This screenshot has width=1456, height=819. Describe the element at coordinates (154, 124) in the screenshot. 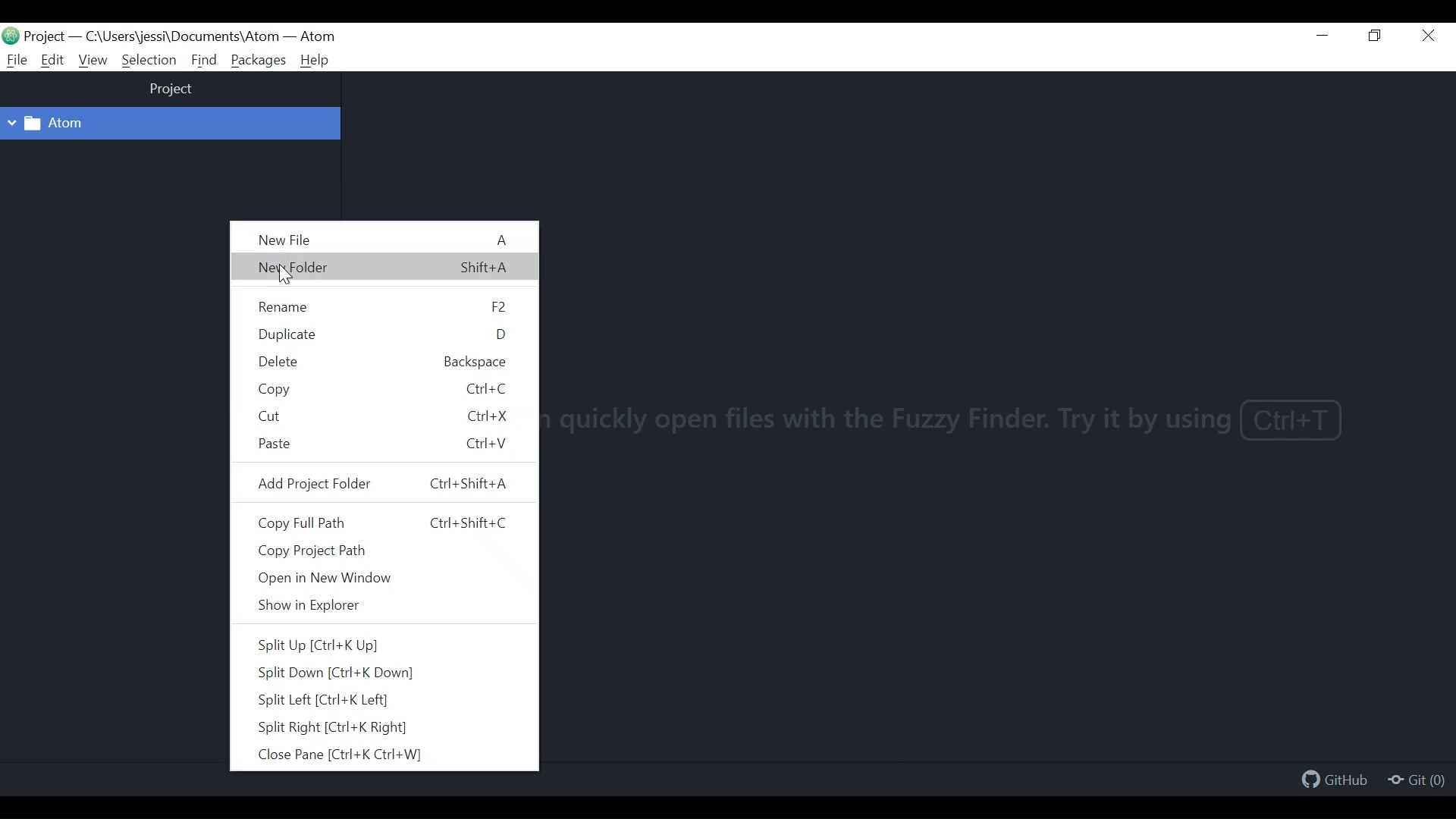

I see `Project Folder` at that location.